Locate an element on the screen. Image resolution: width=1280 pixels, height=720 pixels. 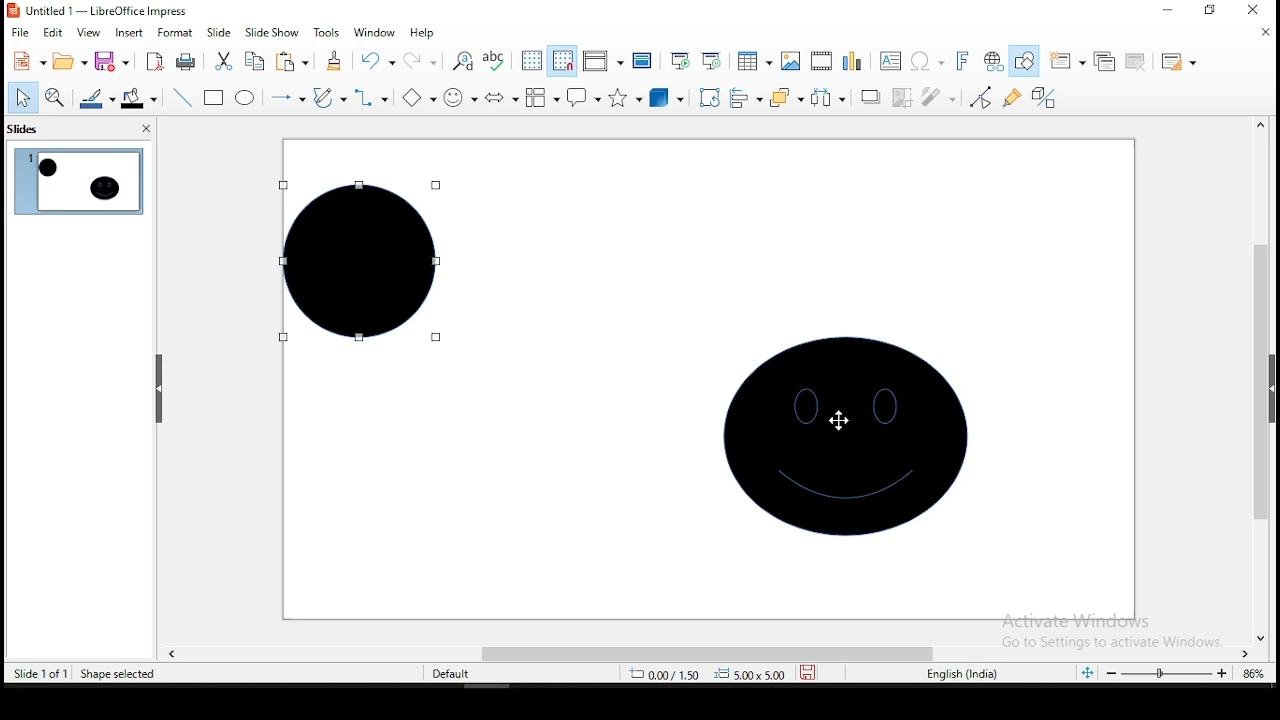
new  slide is located at coordinates (1068, 59).